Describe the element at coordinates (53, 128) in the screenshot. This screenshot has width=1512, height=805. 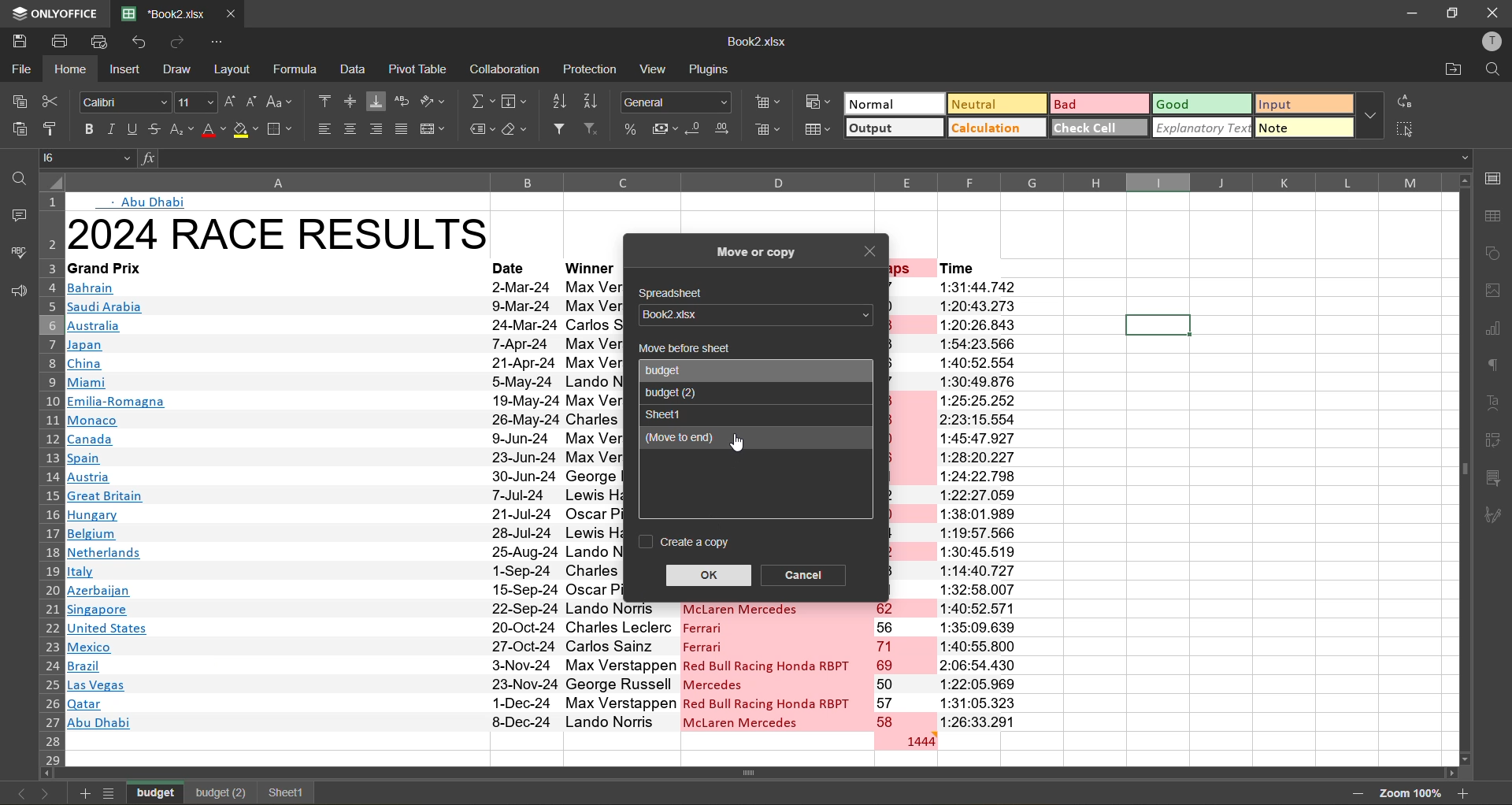
I see `copy style` at that location.